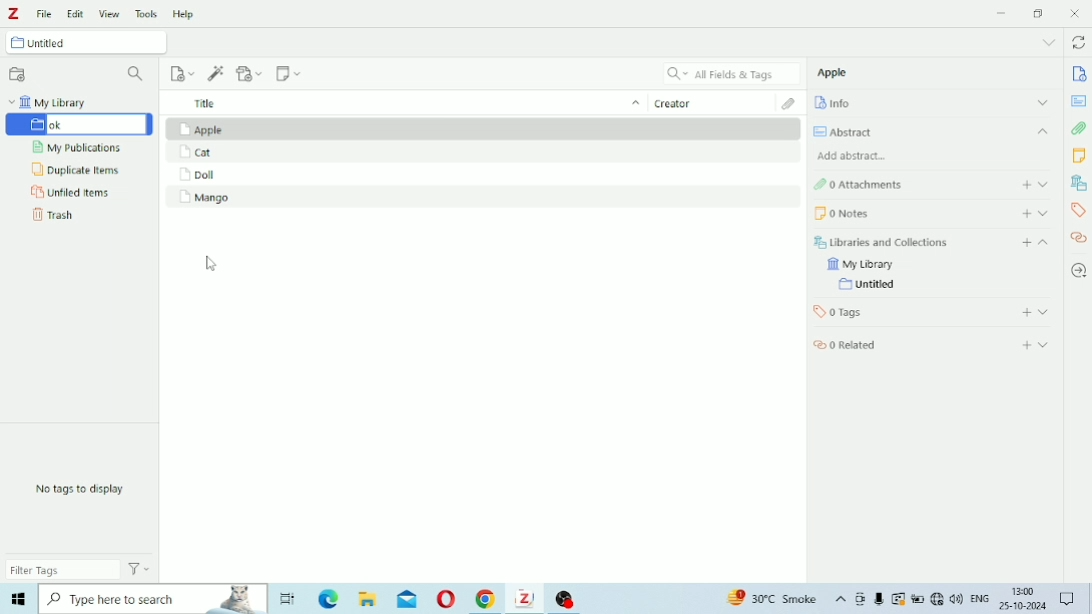 The height and width of the screenshot is (614, 1092). Describe the element at coordinates (833, 73) in the screenshot. I see `Apple` at that location.